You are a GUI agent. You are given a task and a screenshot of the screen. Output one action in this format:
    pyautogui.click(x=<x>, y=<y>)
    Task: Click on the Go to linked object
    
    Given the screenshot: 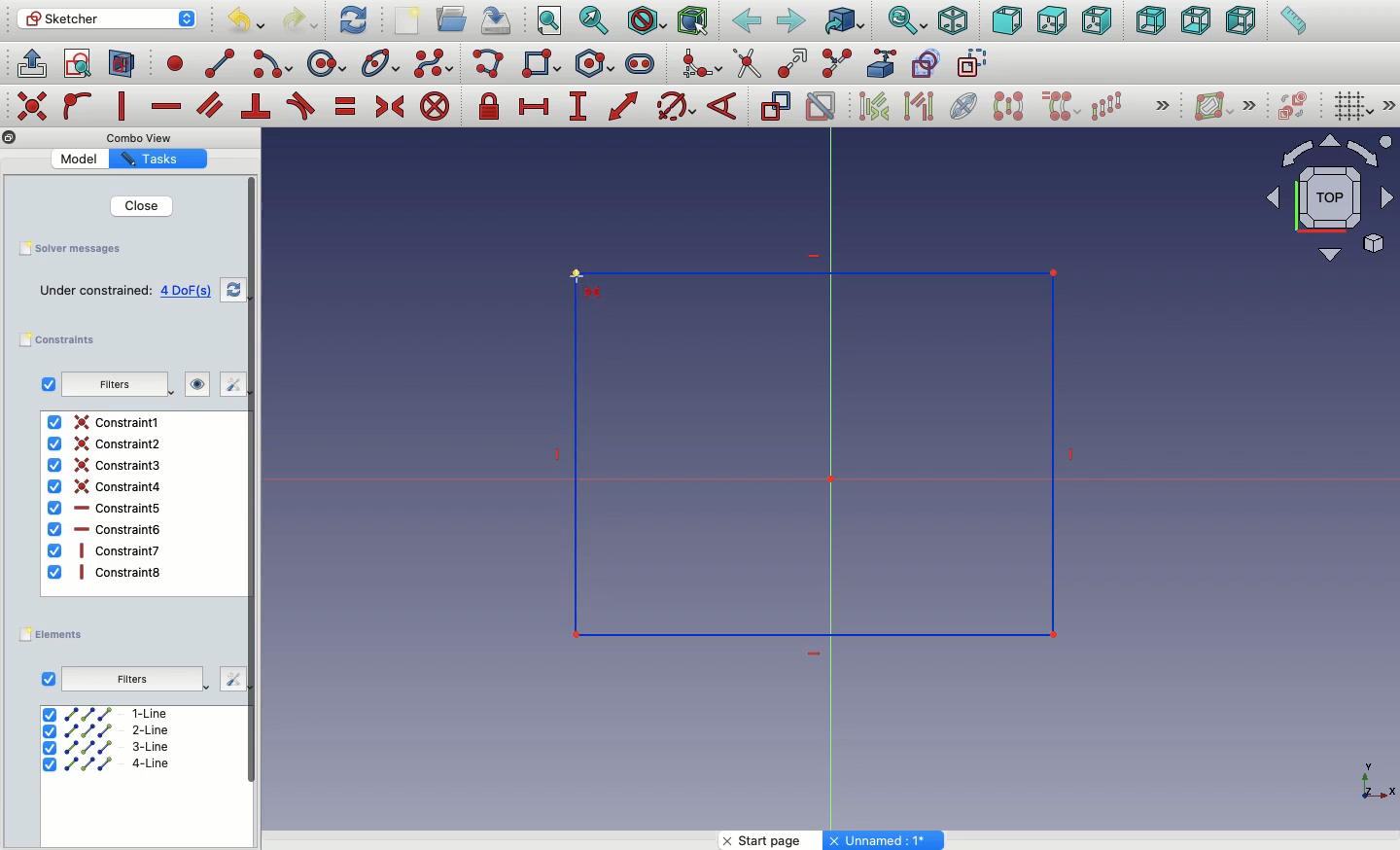 What is the action you would take?
    pyautogui.click(x=845, y=22)
    